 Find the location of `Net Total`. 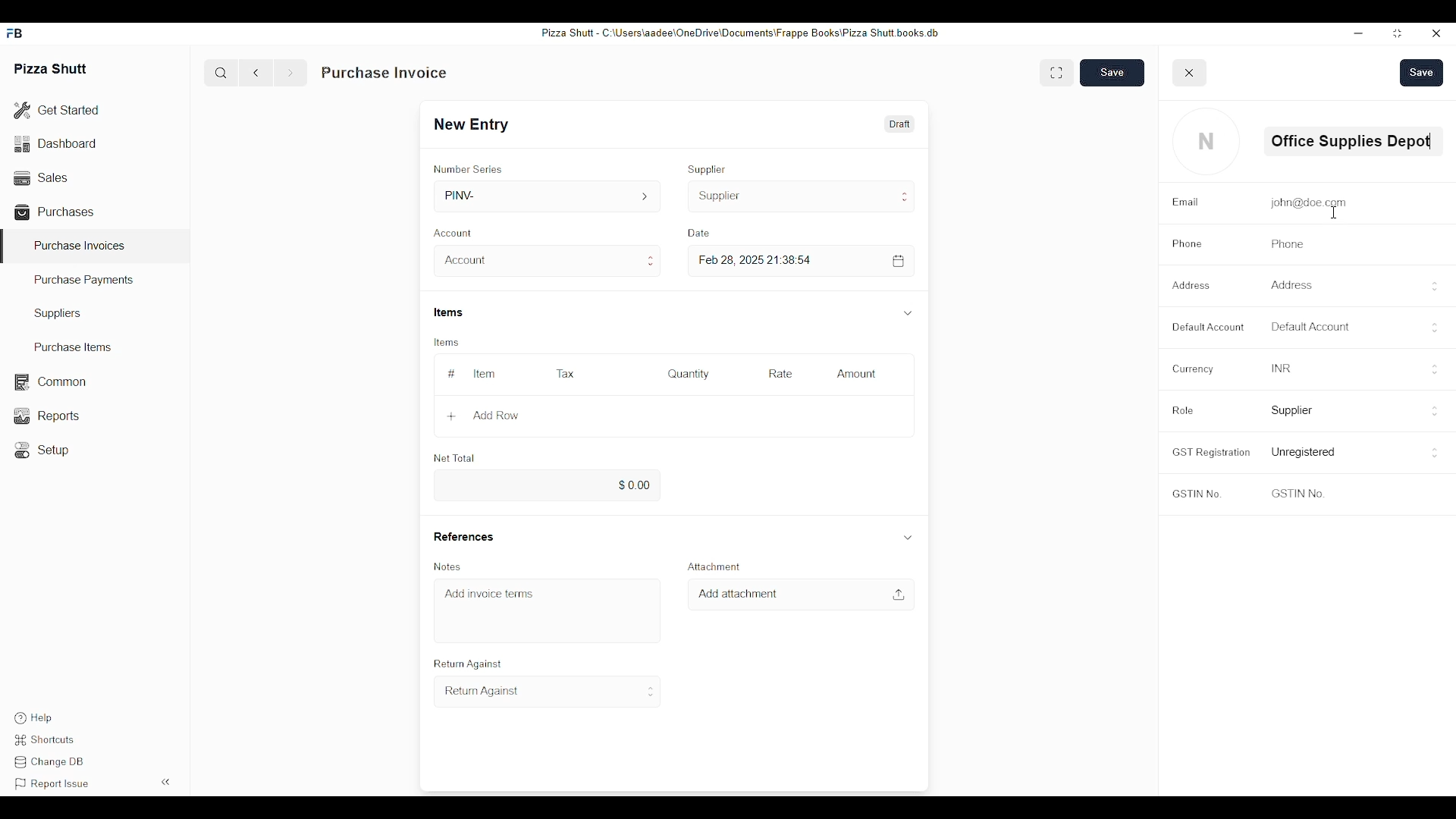

Net Total is located at coordinates (454, 458).